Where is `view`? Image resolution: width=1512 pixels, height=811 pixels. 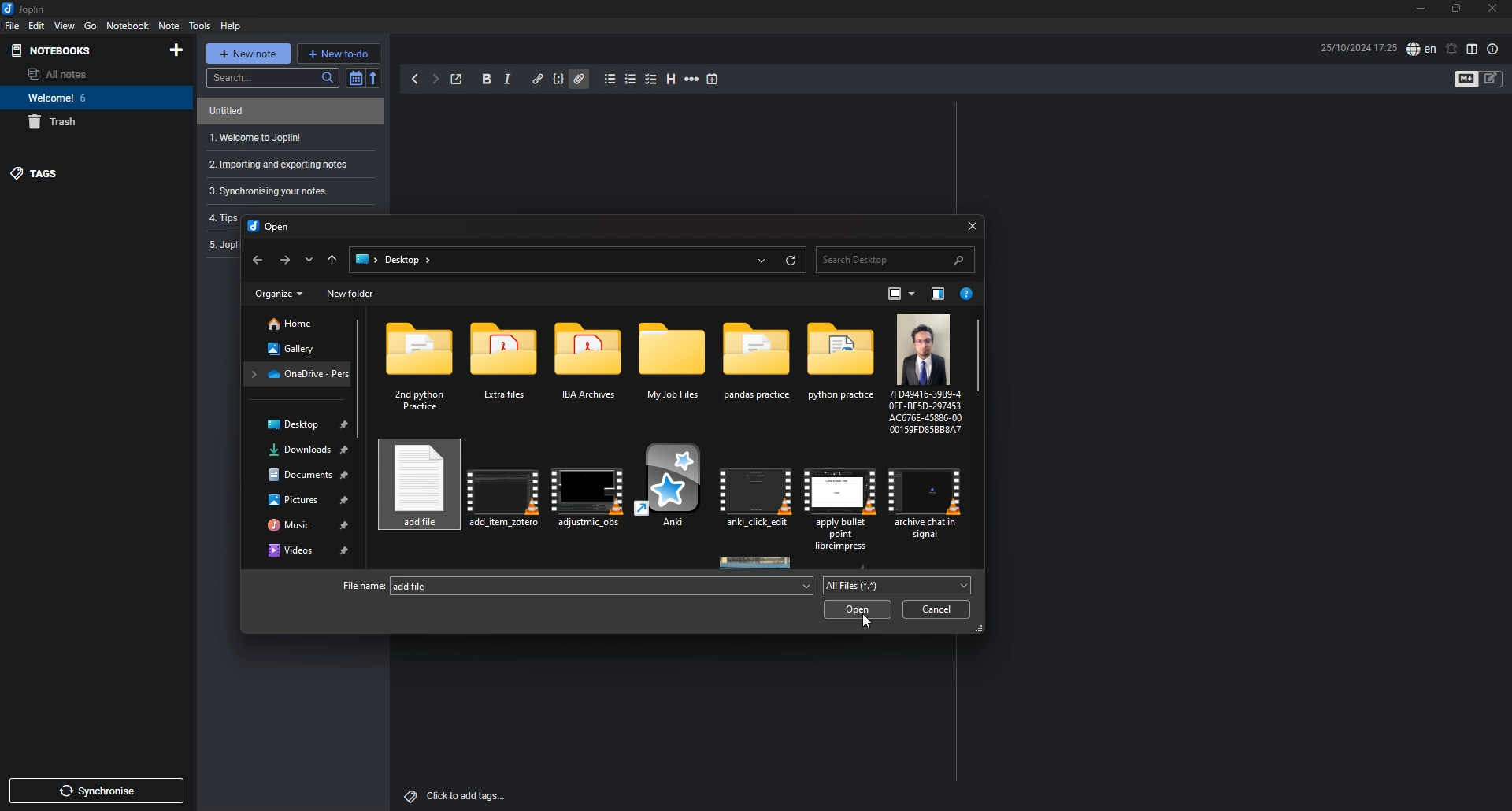 view is located at coordinates (65, 25).